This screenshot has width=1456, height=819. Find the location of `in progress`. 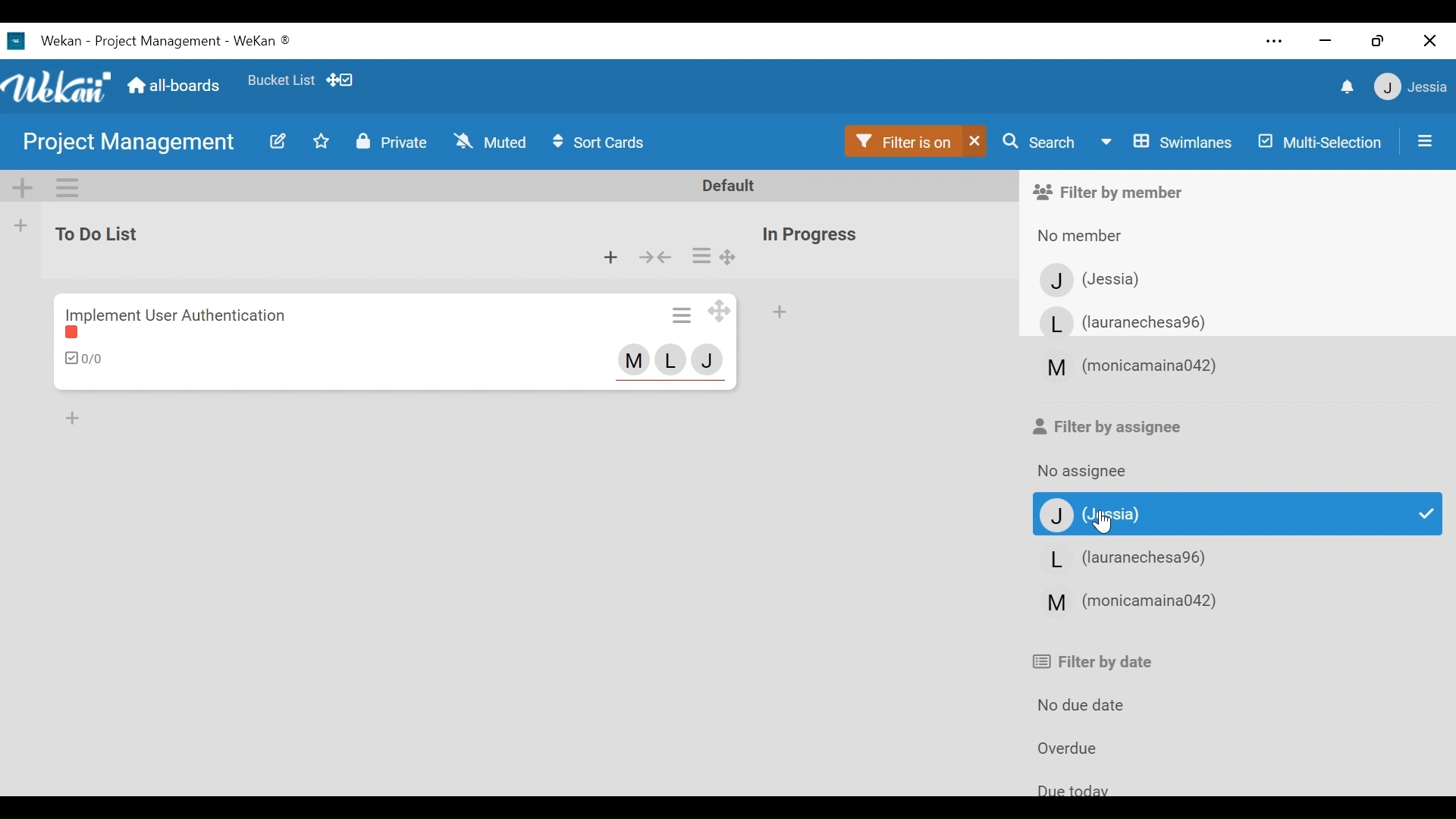

in progress is located at coordinates (819, 232).